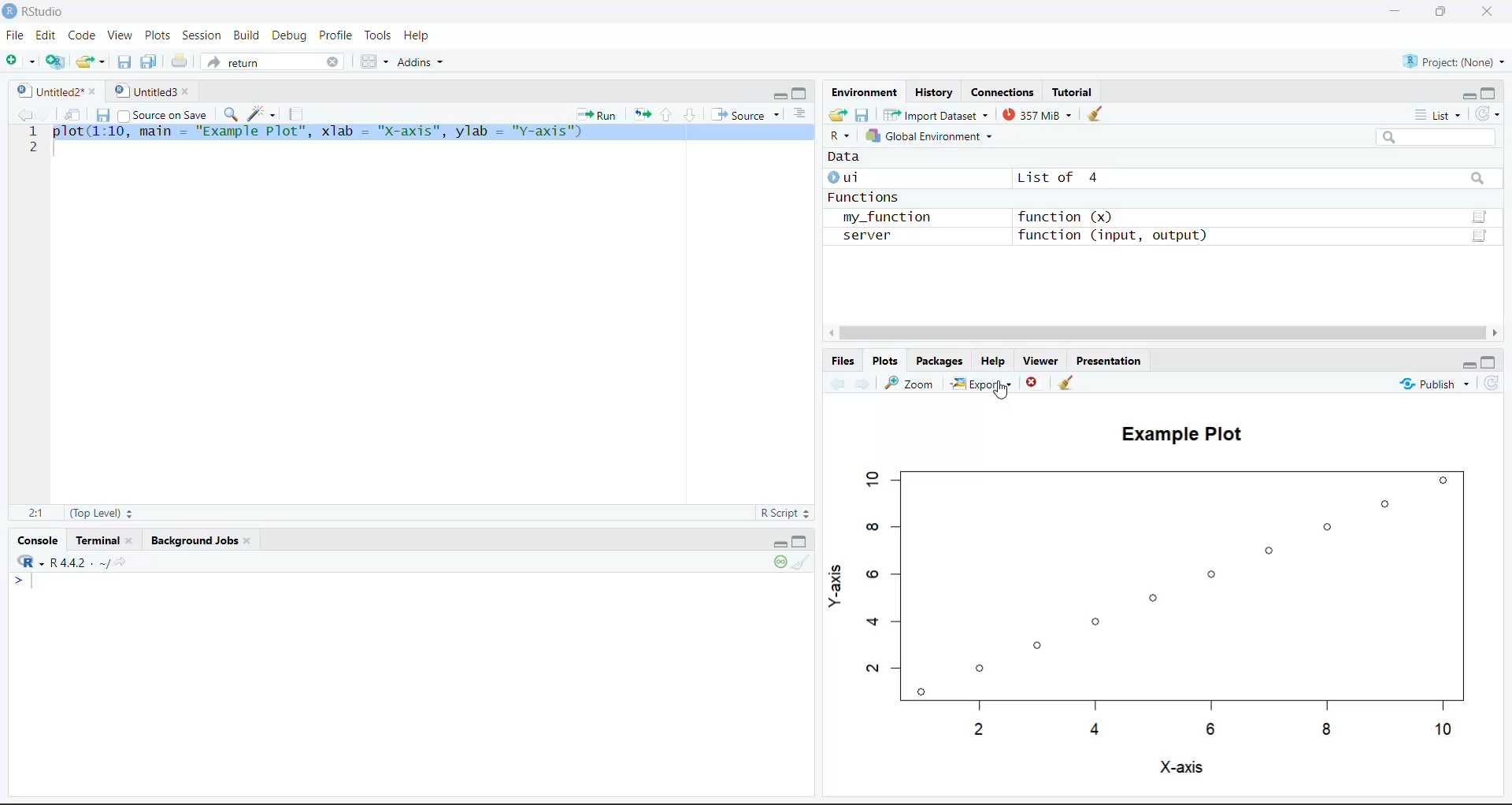 The width and height of the screenshot is (1512, 805). What do you see at coordinates (934, 114) in the screenshot?
I see `Import Dataset` at bounding box center [934, 114].